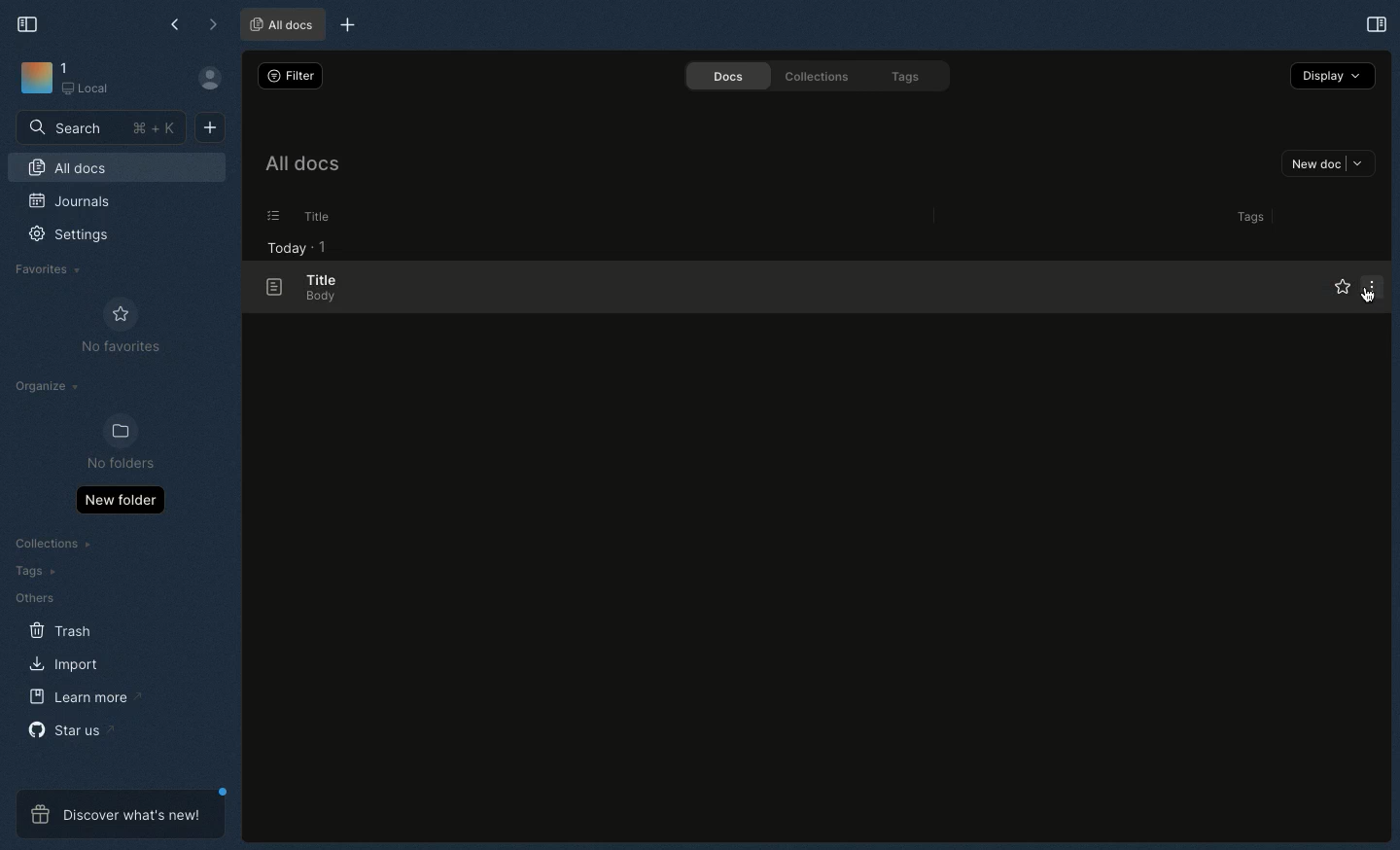 The image size is (1400, 850). I want to click on All docs, so click(280, 25).